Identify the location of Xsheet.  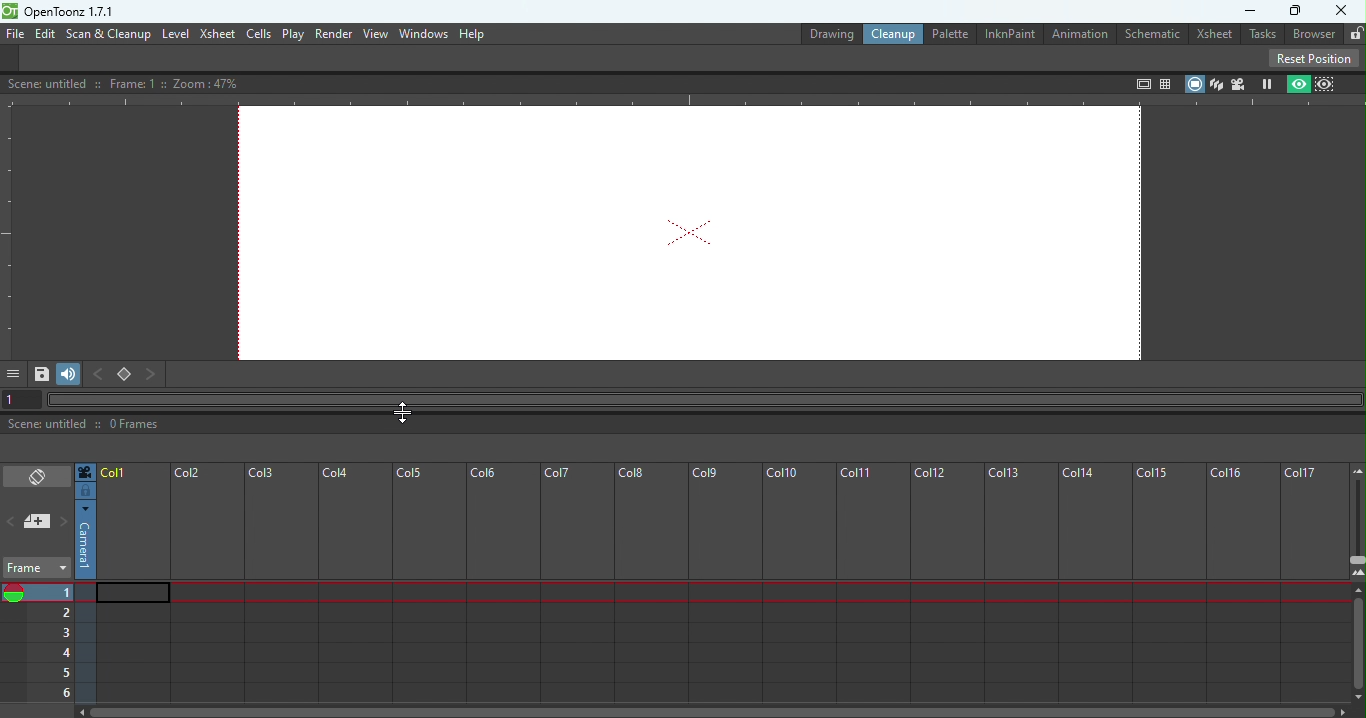
(1214, 34).